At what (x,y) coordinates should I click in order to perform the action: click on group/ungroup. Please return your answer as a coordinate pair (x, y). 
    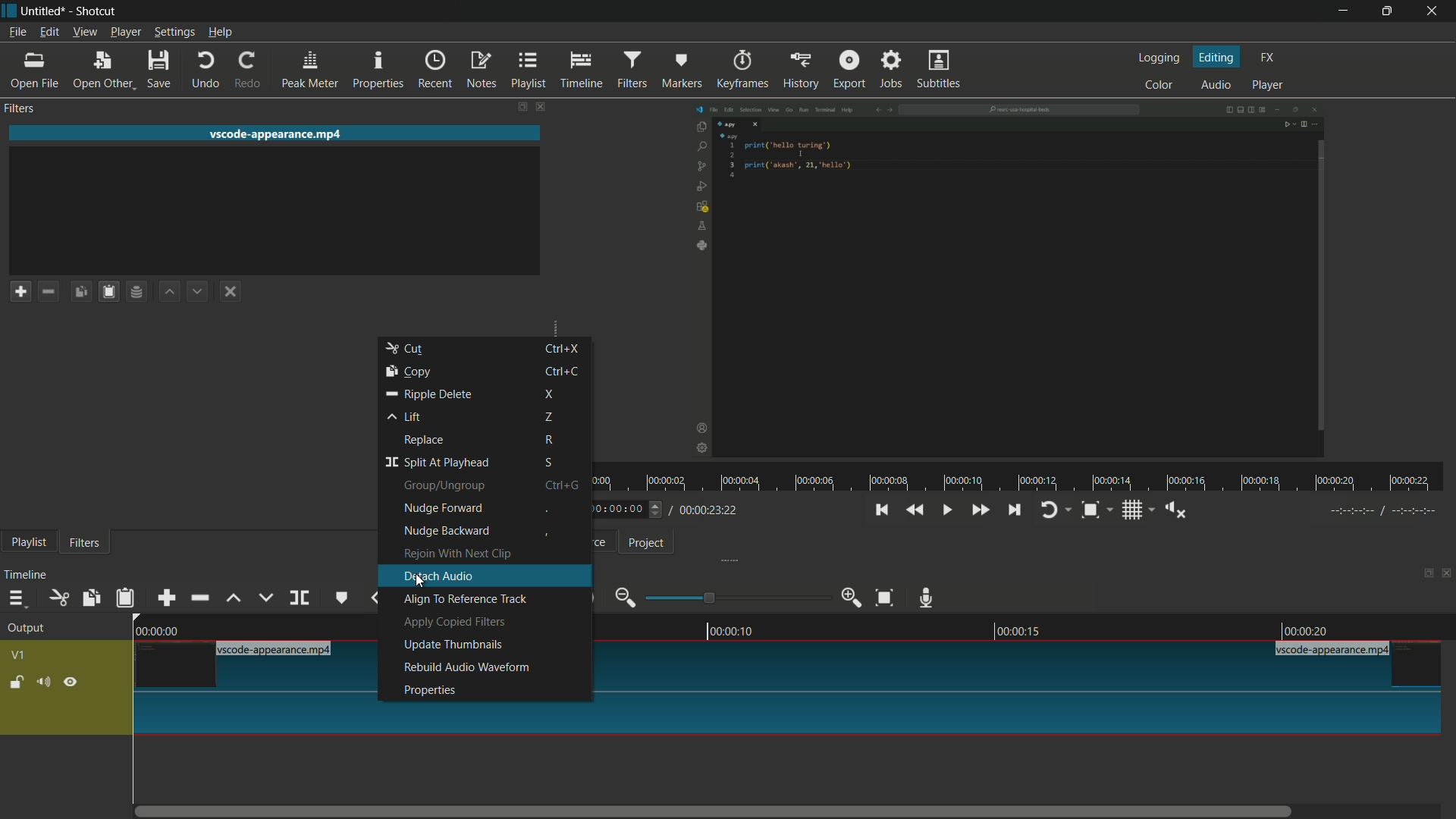
    Looking at the image, I should click on (444, 487).